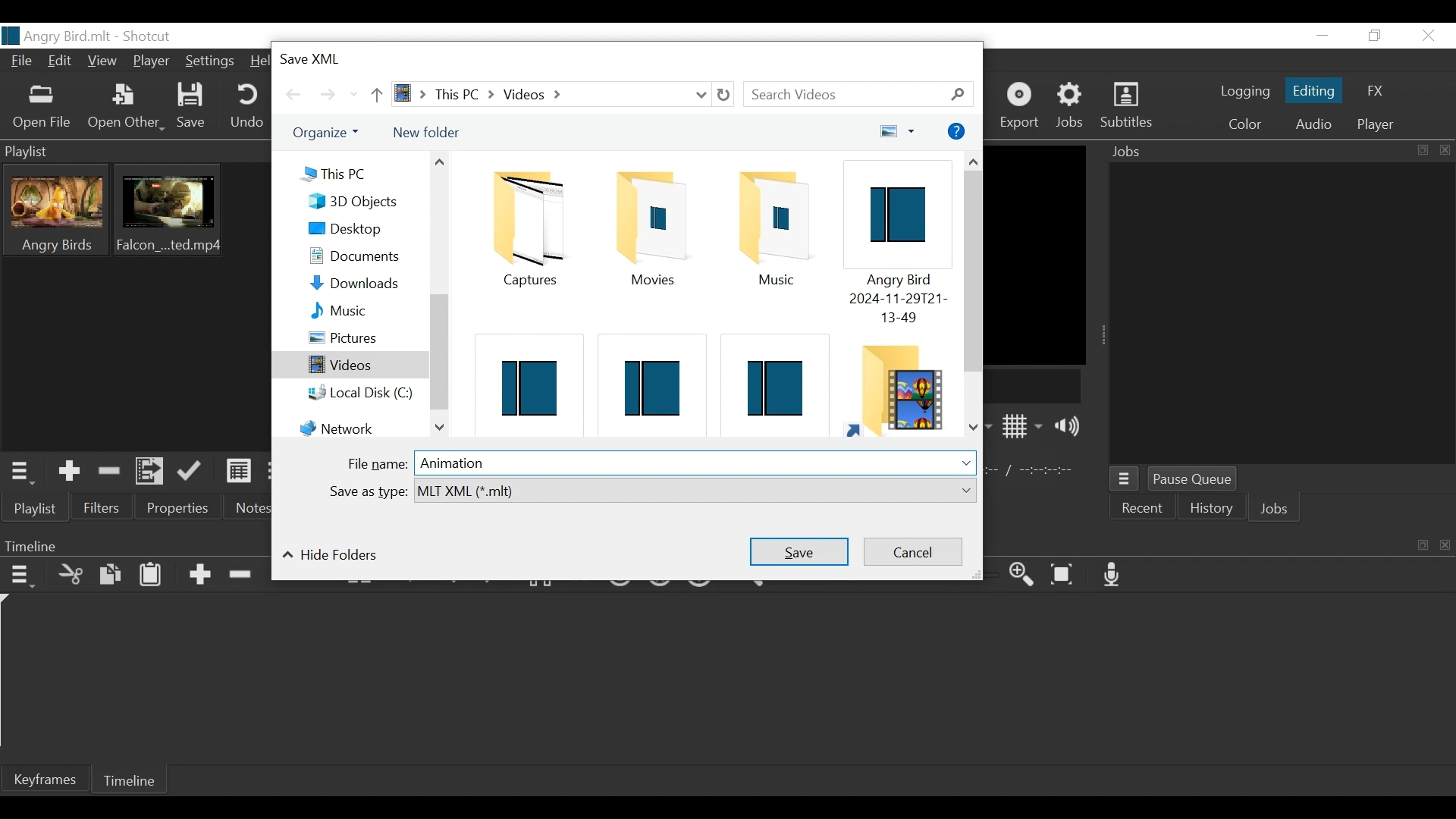 The height and width of the screenshot is (819, 1456). What do you see at coordinates (22, 63) in the screenshot?
I see `File` at bounding box center [22, 63].